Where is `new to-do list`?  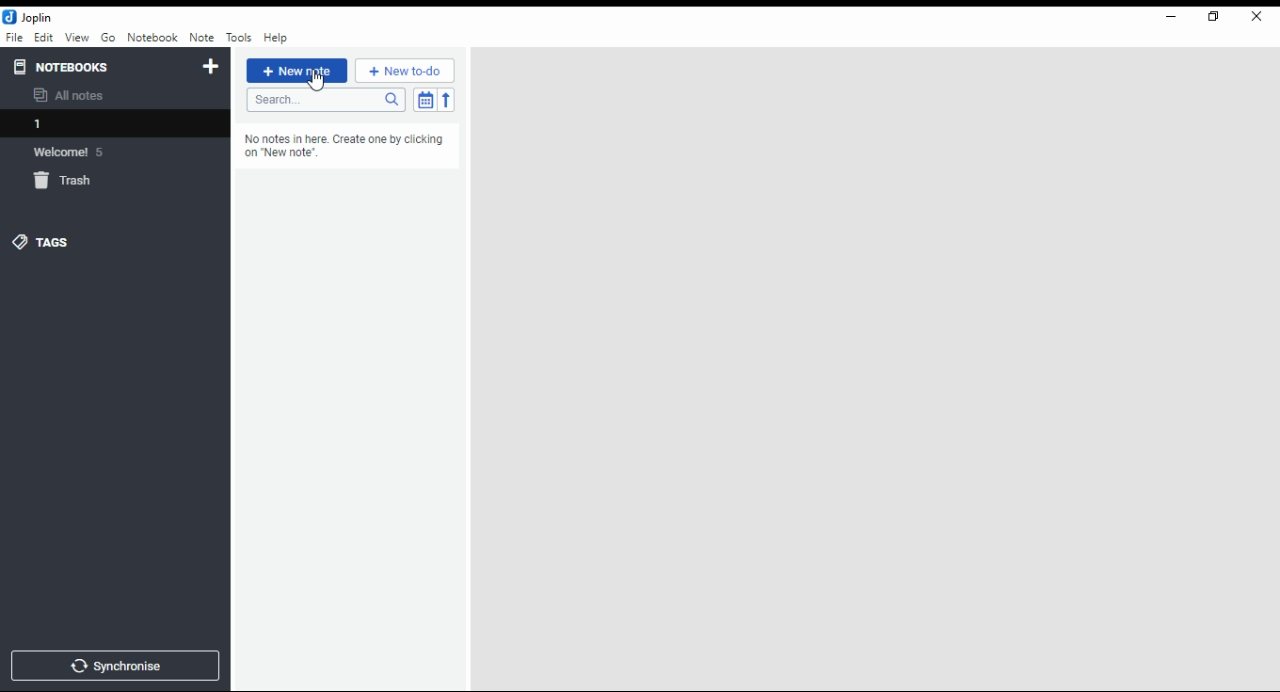
new to-do list is located at coordinates (405, 71).